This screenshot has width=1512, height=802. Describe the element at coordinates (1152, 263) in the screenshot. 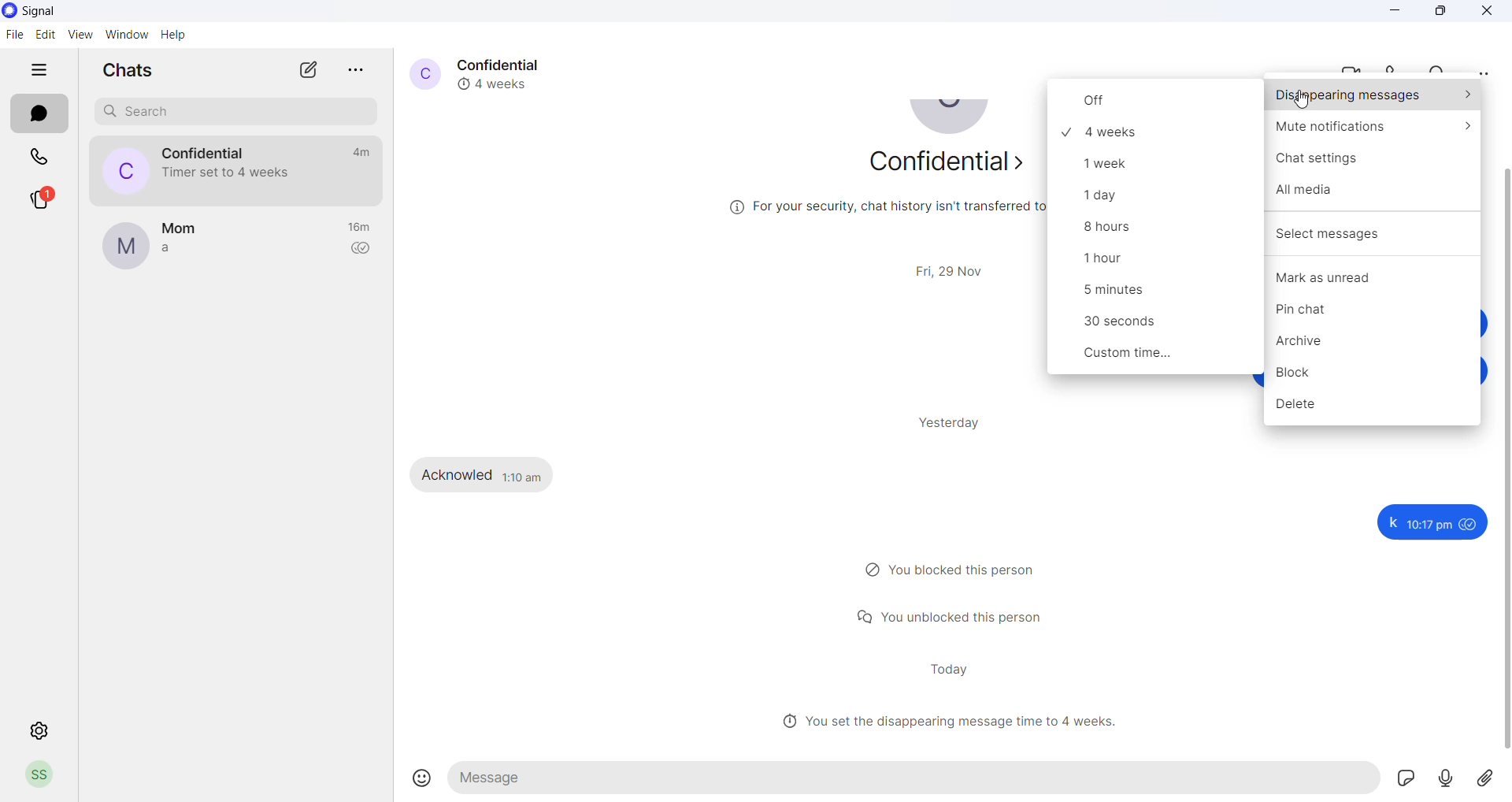

I see `disappearing messages timeframe` at that location.